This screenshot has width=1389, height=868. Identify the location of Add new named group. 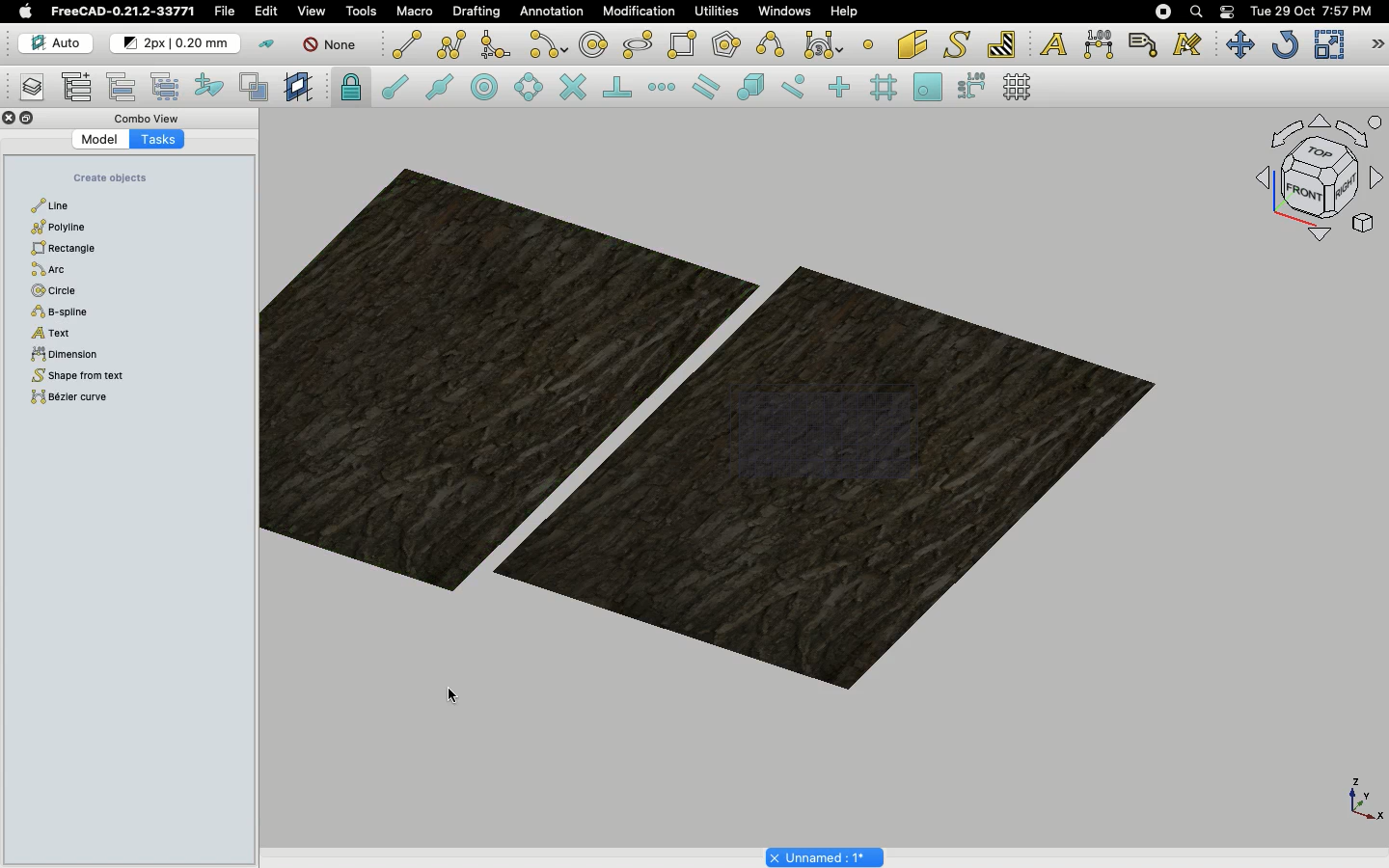
(81, 89).